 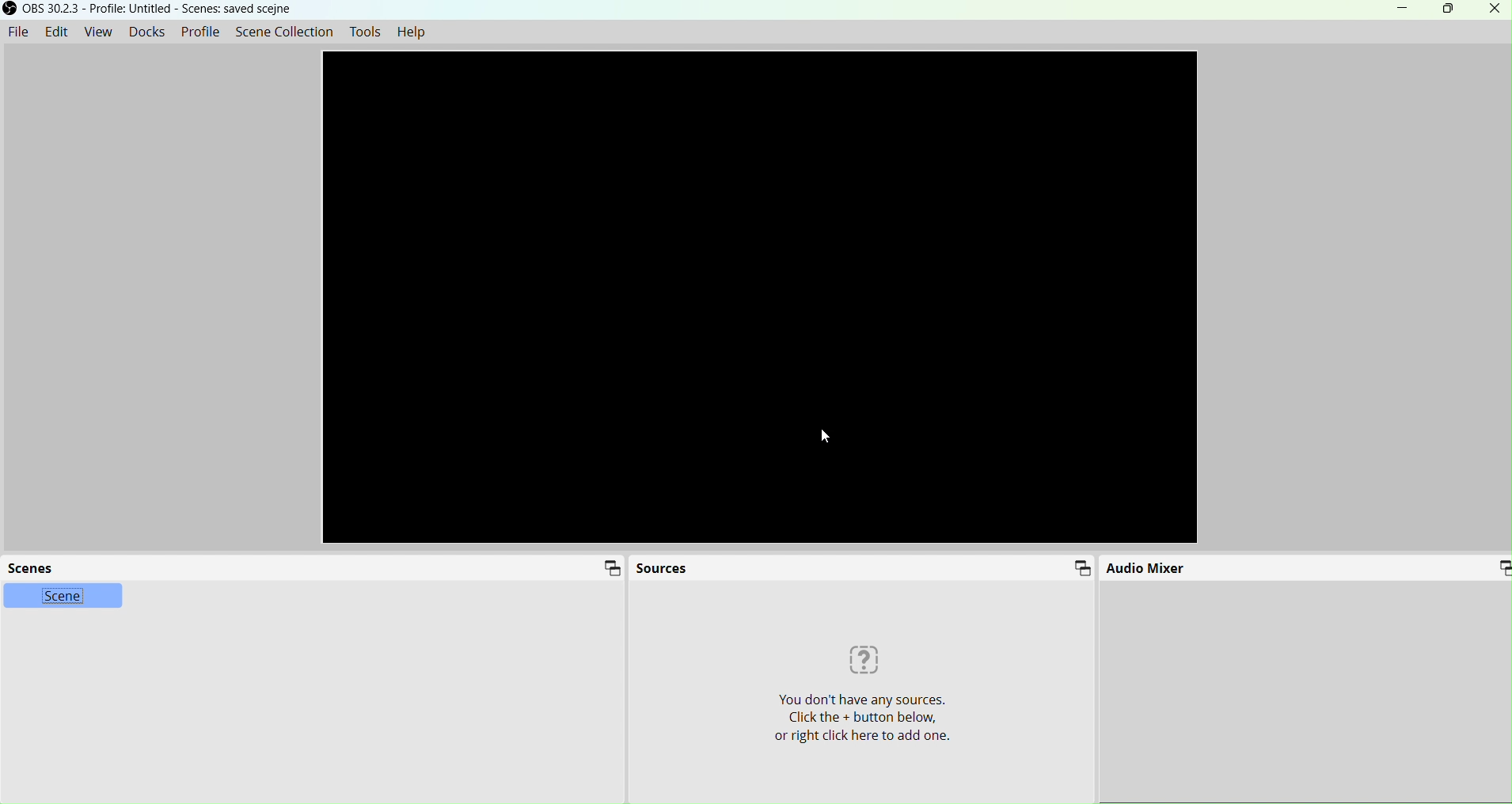 I want to click on Sources, so click(x=663, y=567).